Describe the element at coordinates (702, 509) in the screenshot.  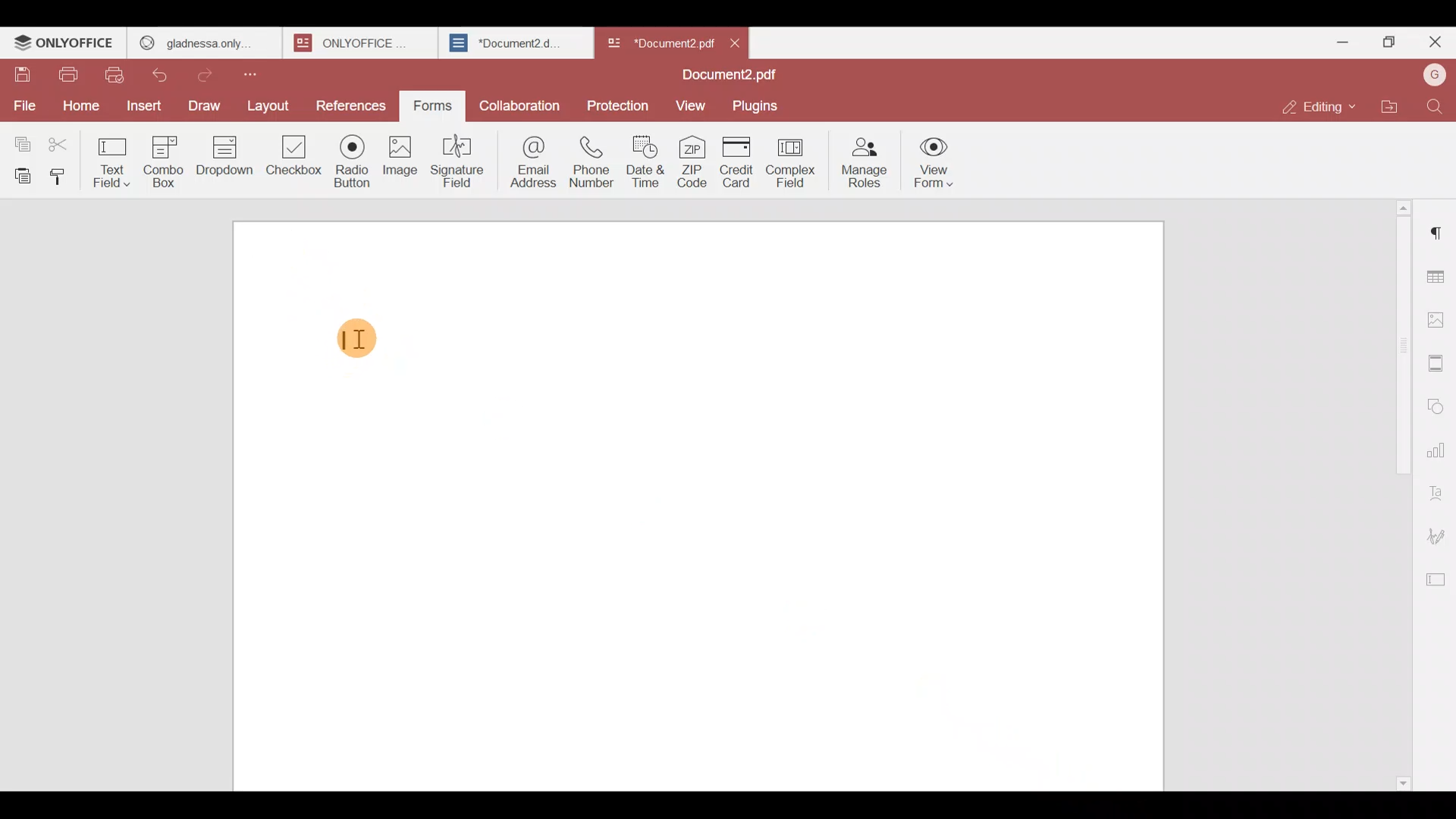
I see `Working area` at that location.